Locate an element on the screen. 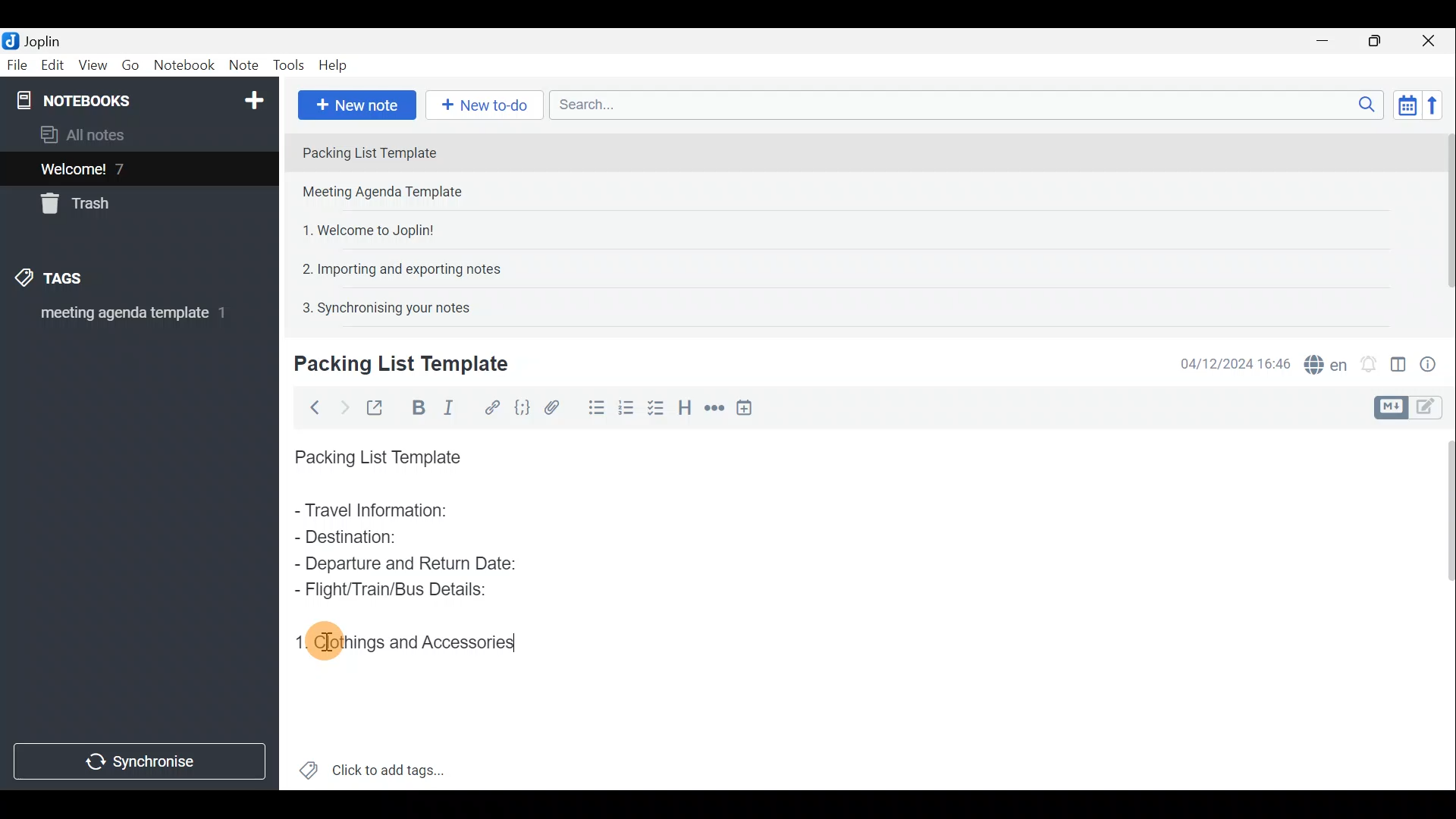  Creating new note is located at coordinates (392, 365).